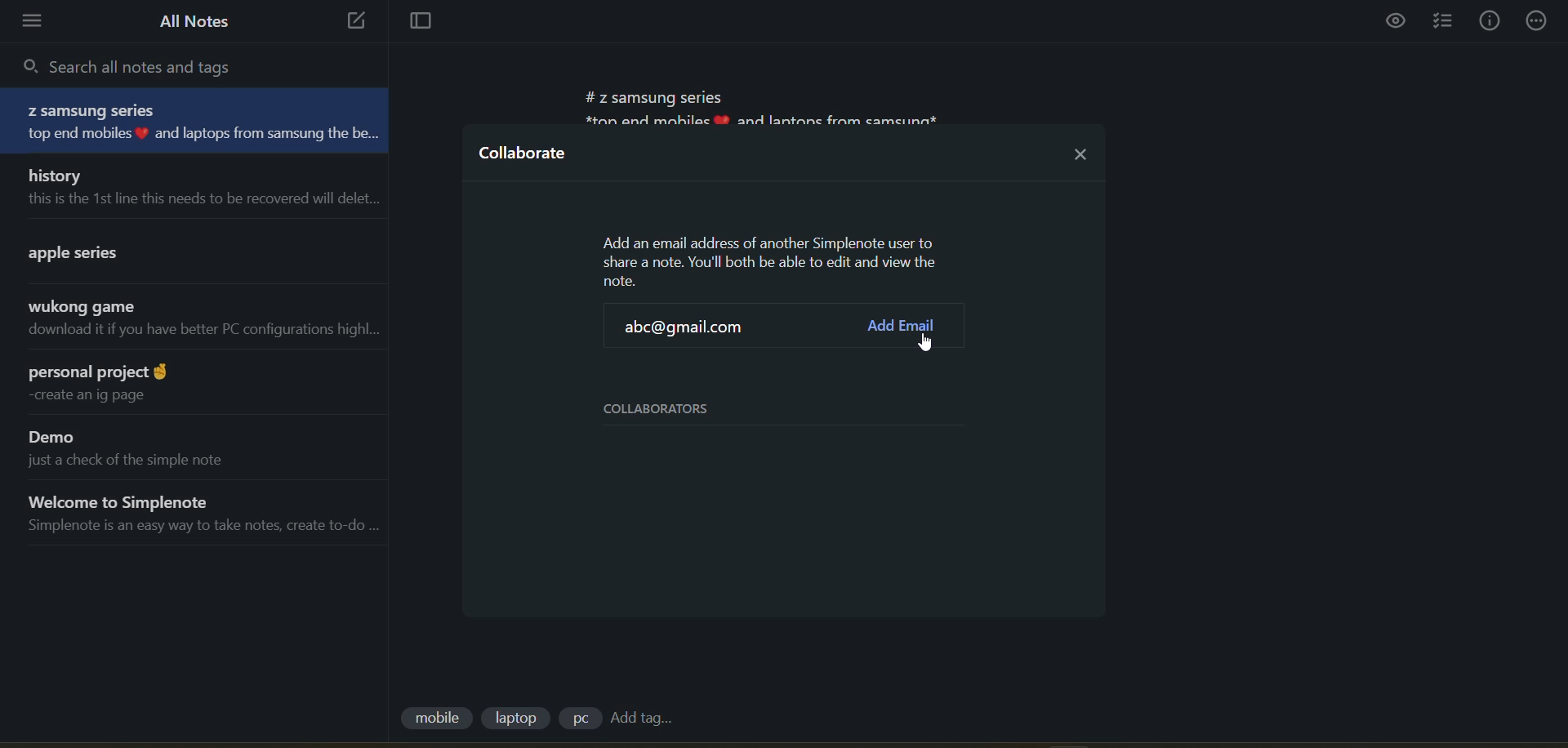 The image size is (1568, 748). What do you see at coordinates (351, 22) in the screenshot?
I see `new note` at bounding box center [351, 22].